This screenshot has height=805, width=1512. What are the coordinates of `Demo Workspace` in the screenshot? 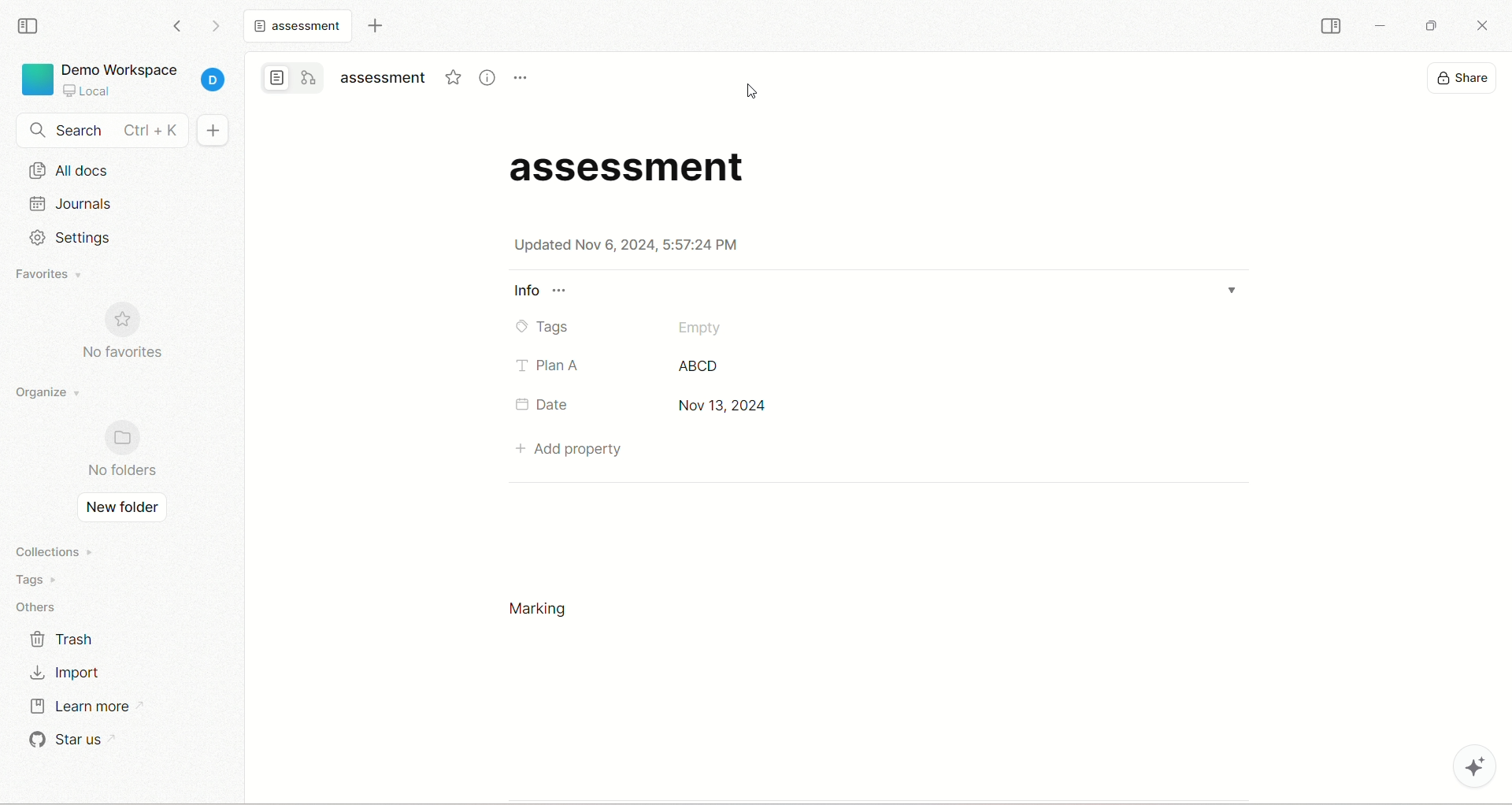 It's located at (124, 78).